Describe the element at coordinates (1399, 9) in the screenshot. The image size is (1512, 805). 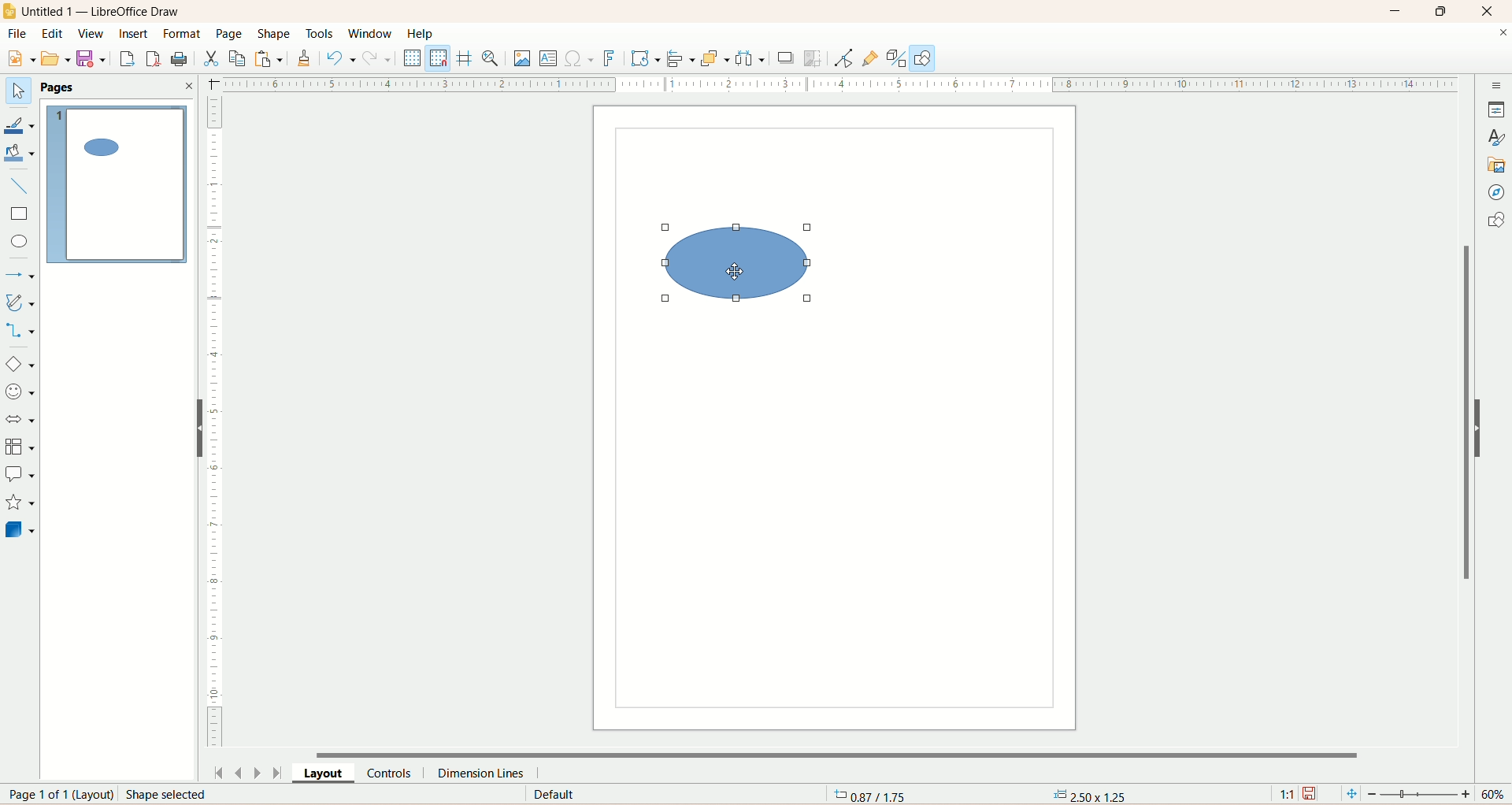
I see `minimize` at that location.